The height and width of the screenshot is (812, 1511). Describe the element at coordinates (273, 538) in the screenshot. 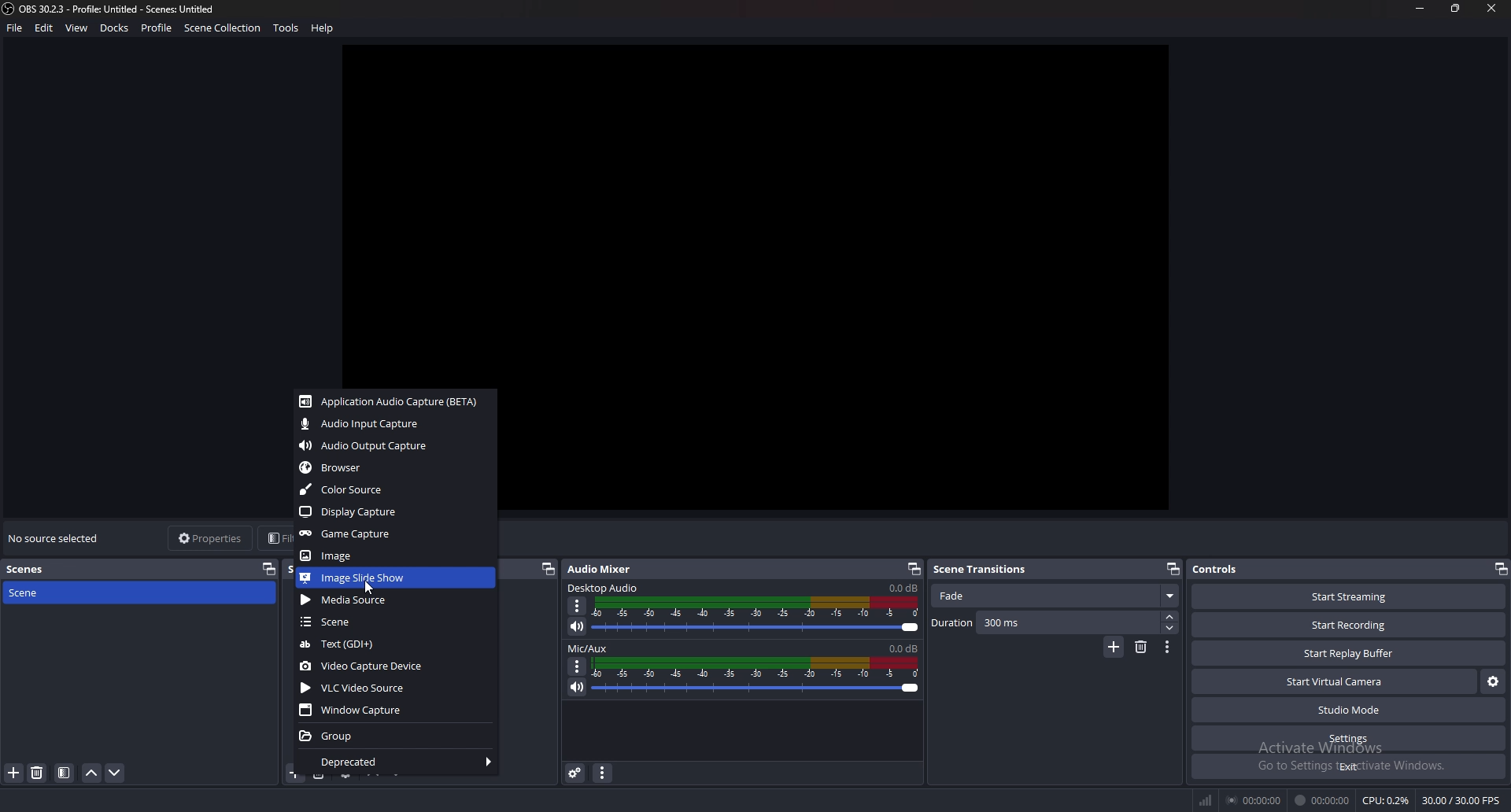

I see `filters` at that location.